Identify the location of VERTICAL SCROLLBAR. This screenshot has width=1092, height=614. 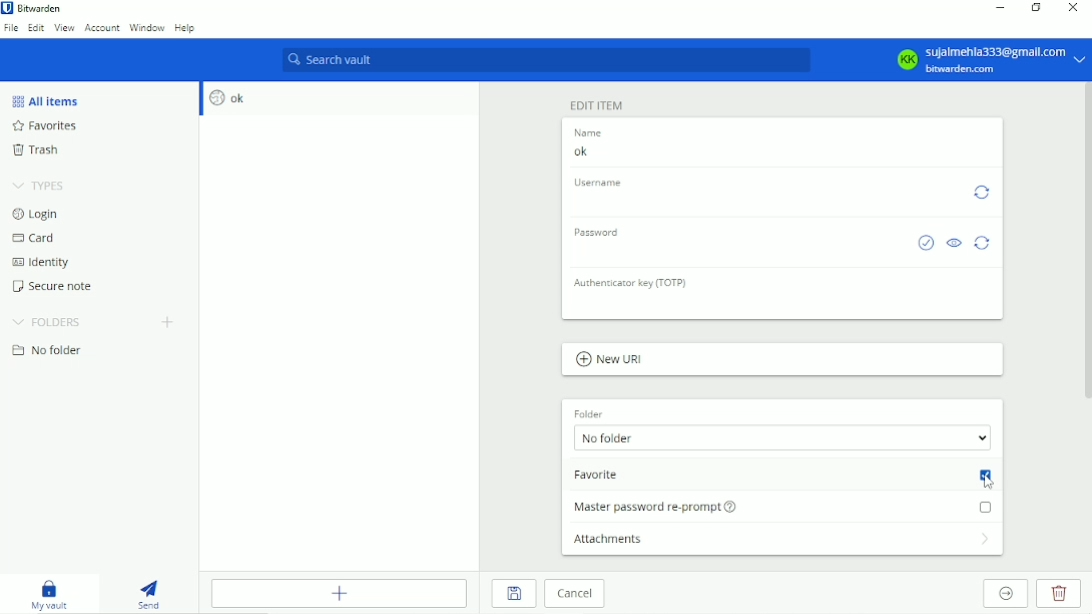
(1088, 241).